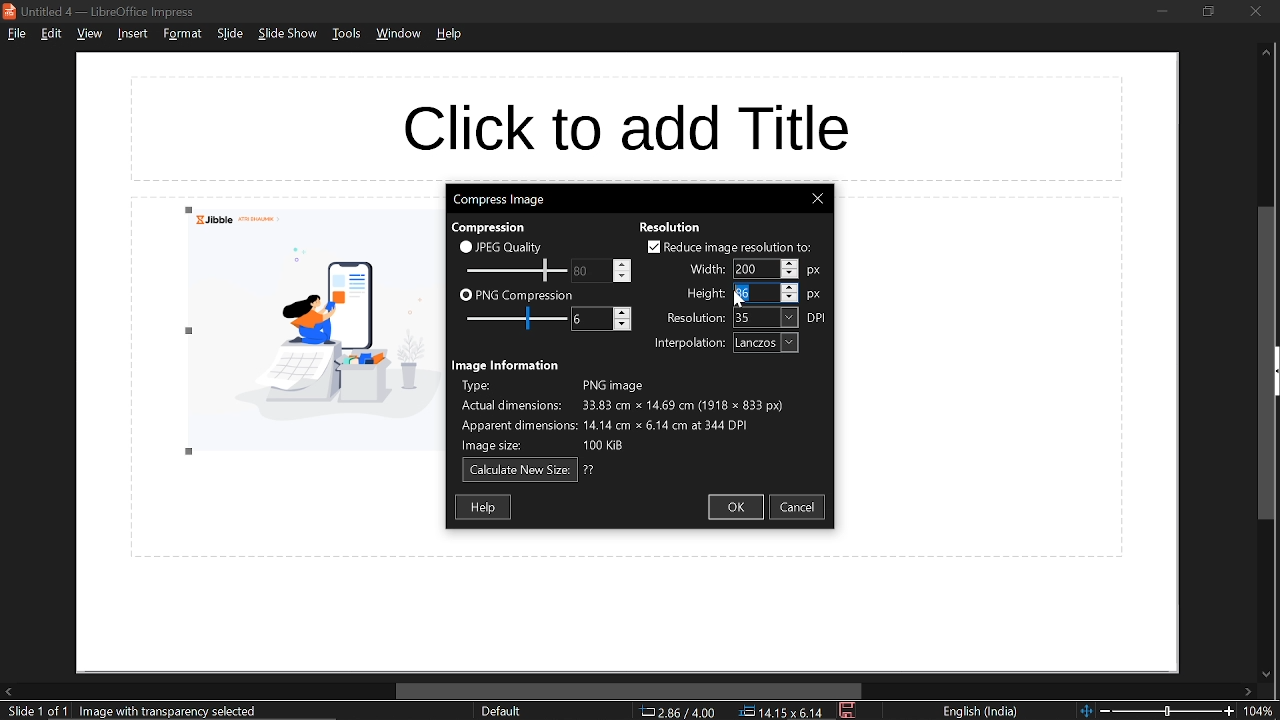  I want to click on decrease height, so click(790, 297).